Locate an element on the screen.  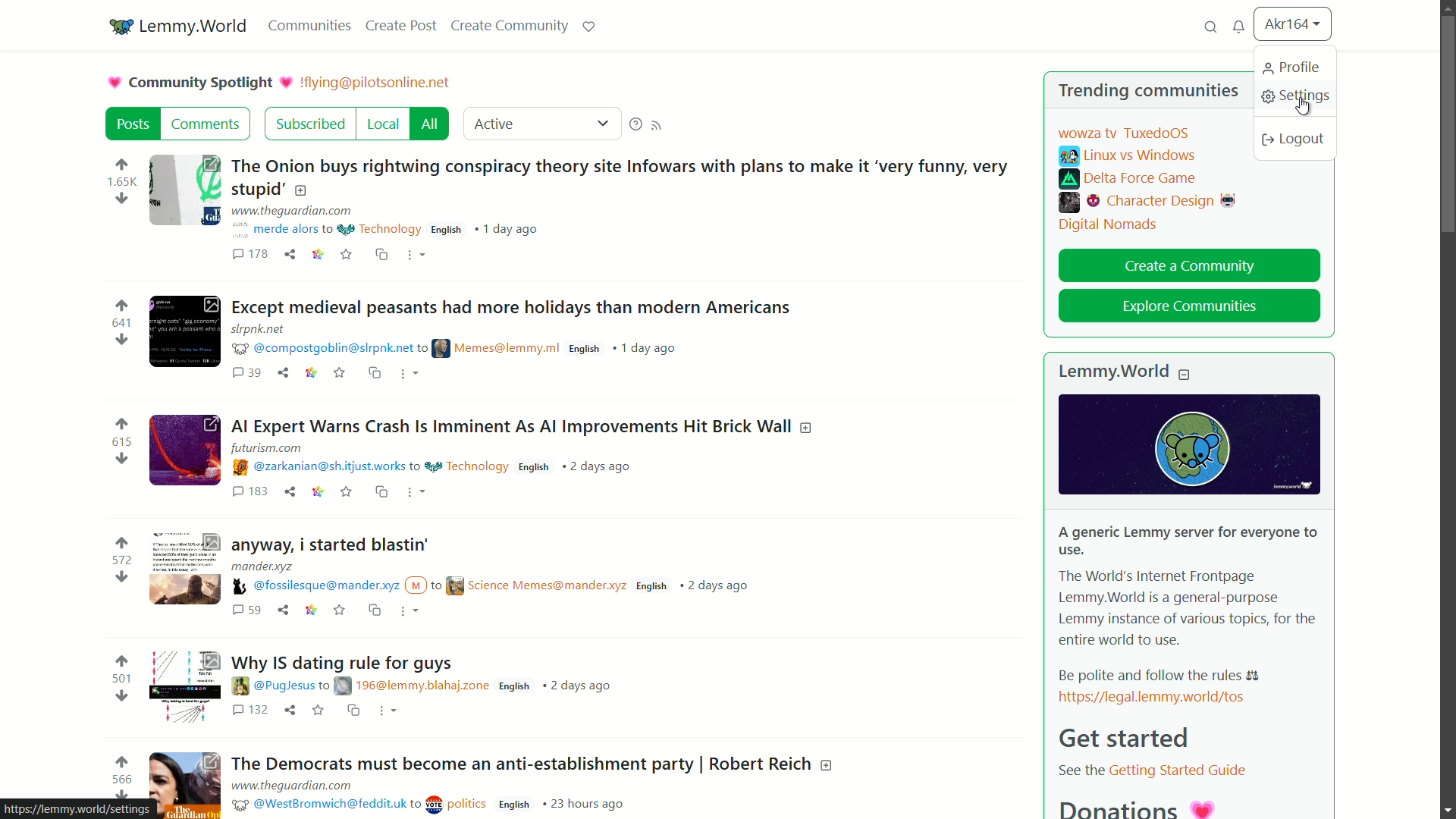
trending communities is located at coordinates (1150, 91).